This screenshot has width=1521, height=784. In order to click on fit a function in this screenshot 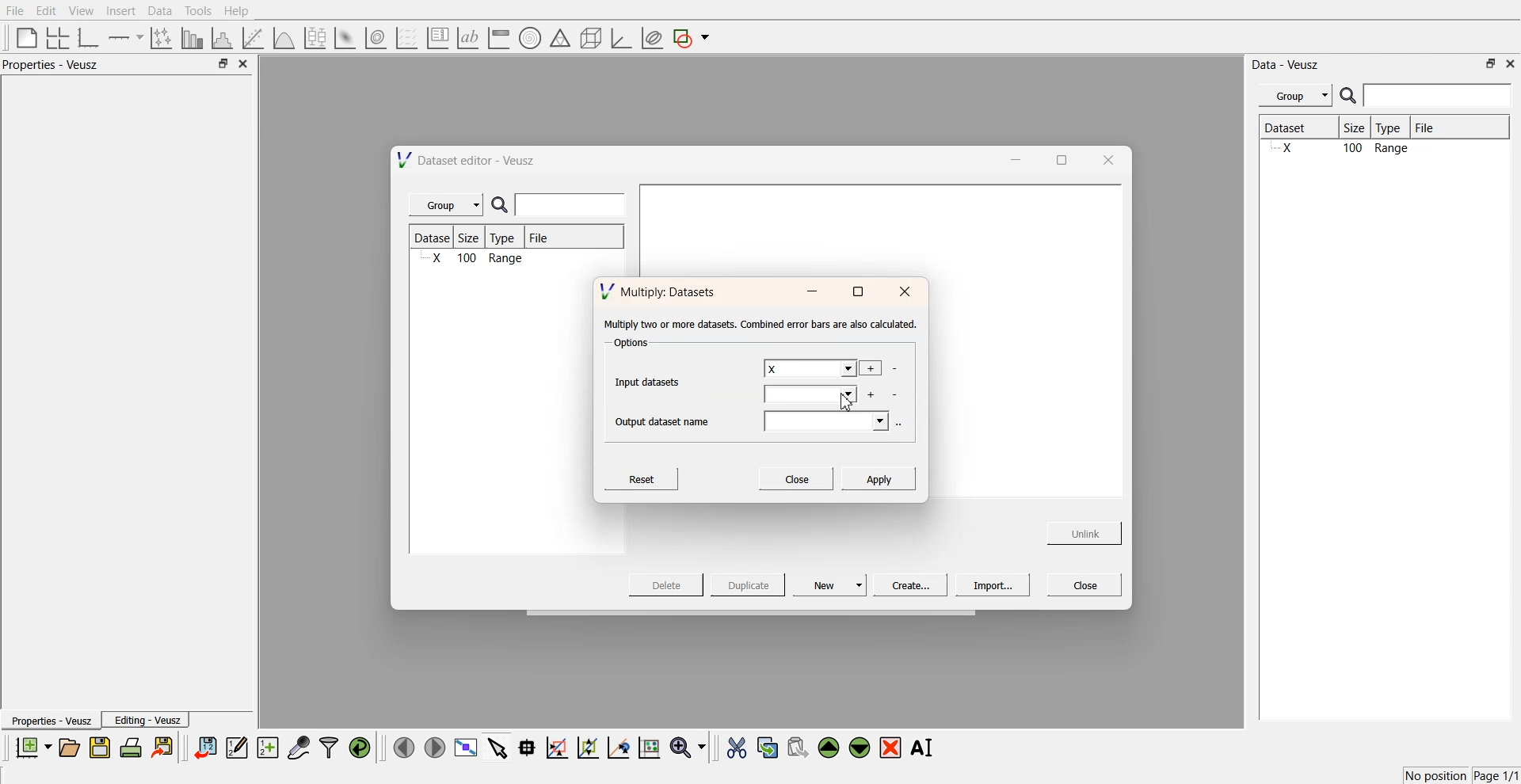, I will do `click(254, 36)`.